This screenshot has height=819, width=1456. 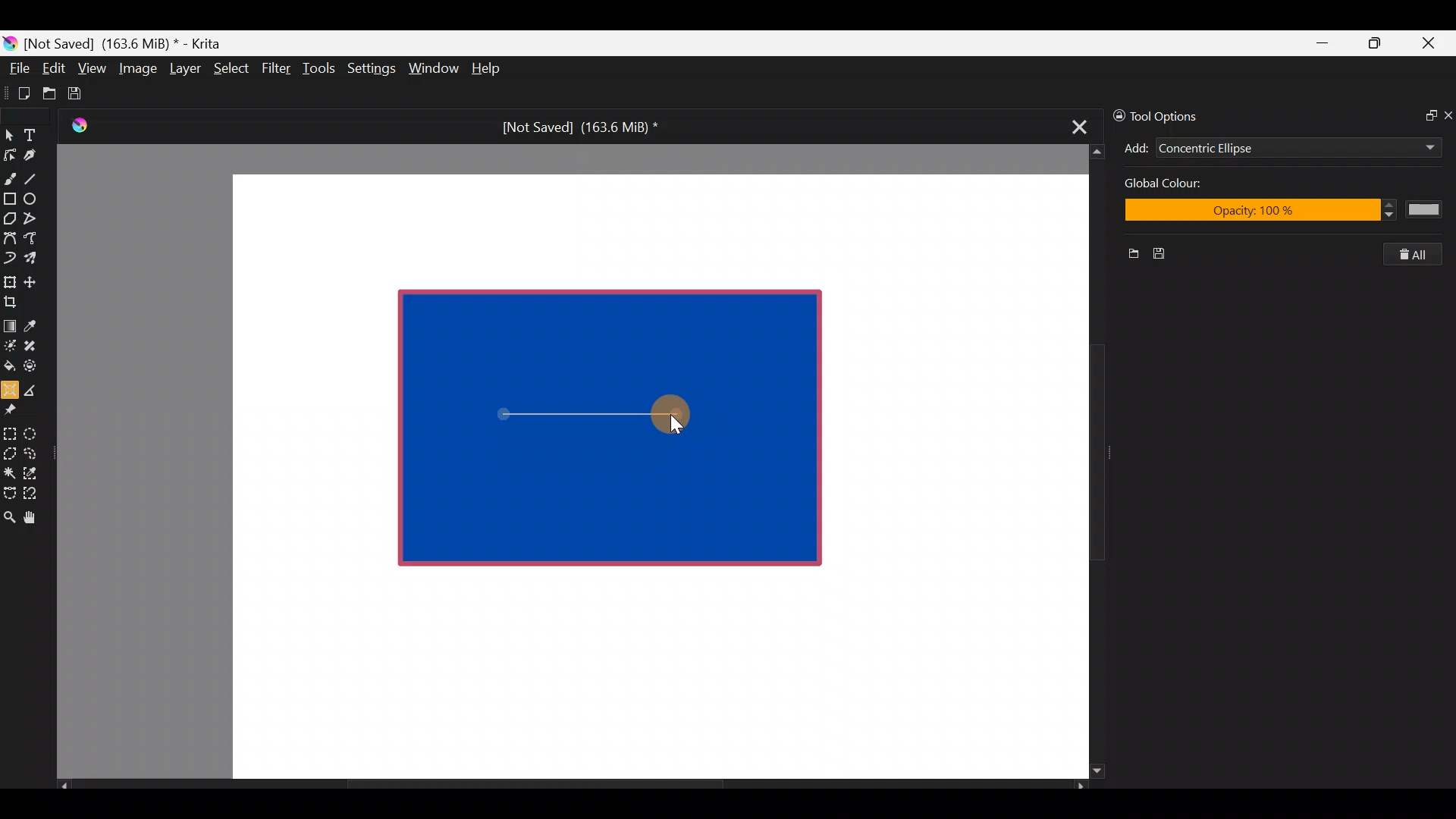 What do you see at coordinates (373, 71) in the screenshot?
I see `Settings` at bounding box center [373, 71].